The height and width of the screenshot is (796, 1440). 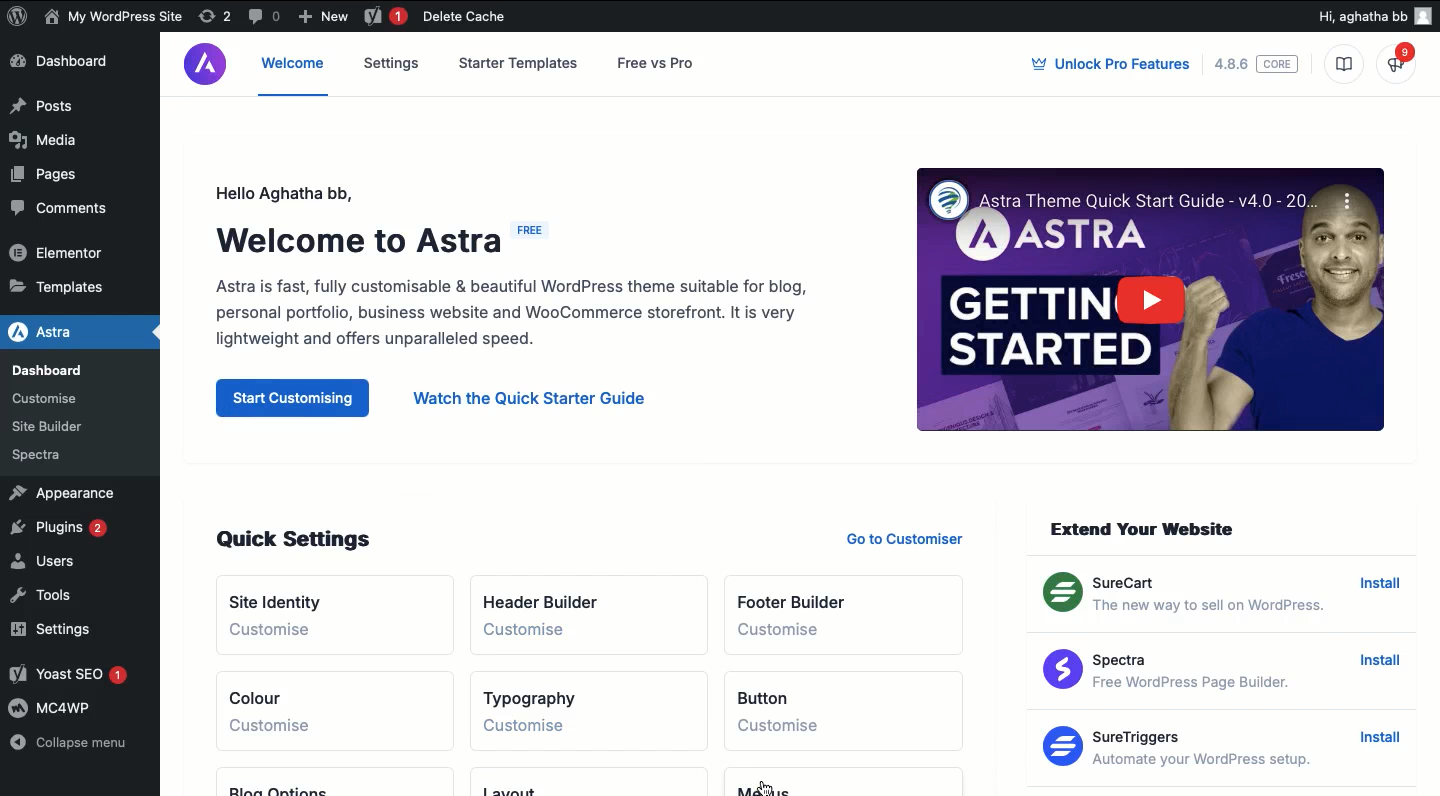 What do you see at coordinates (215, 17) in the screenshot?
I see `Revision` at bounding box center [215, 17].